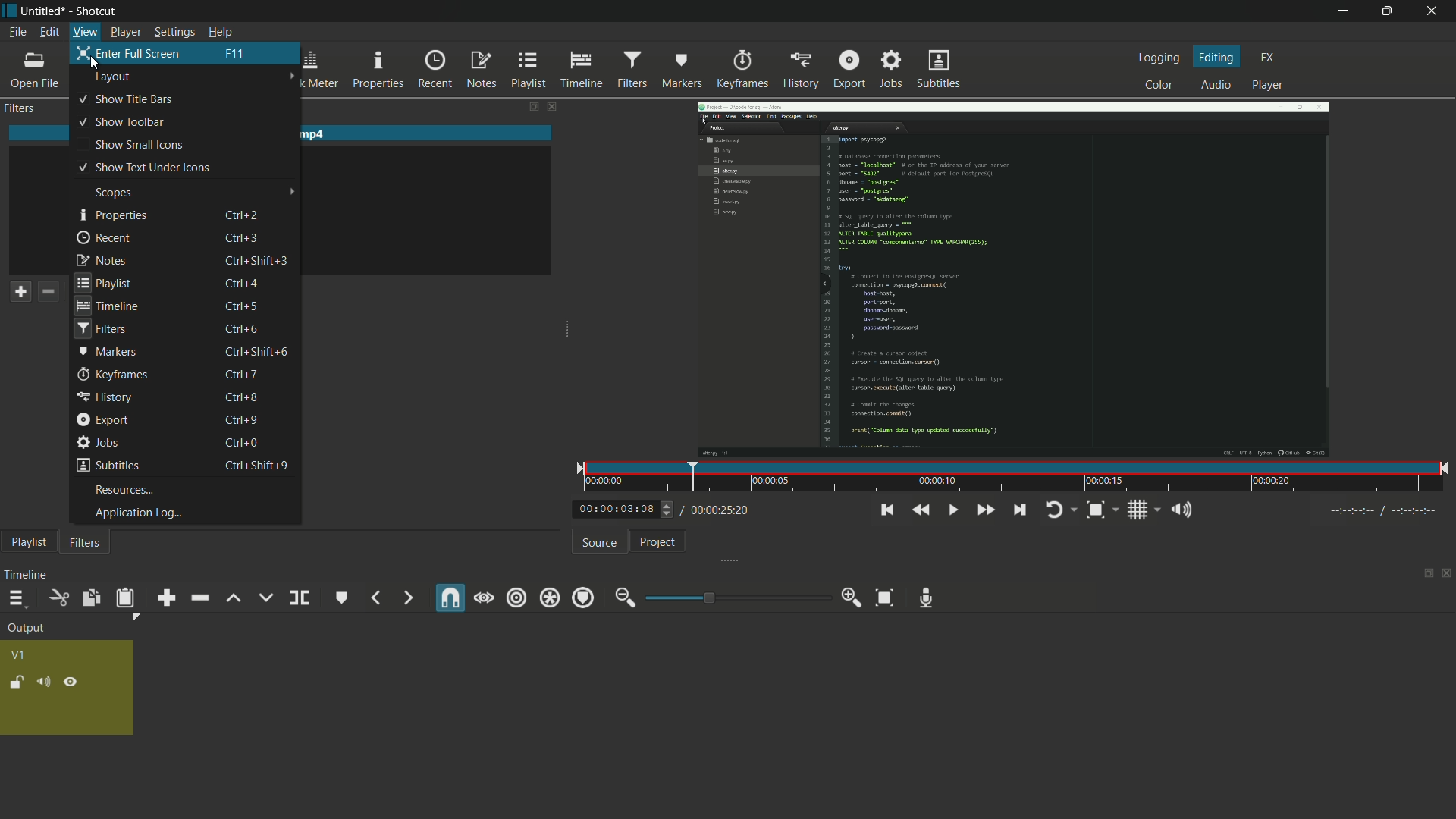 The image size is (1456, 819). Describe the element at coordinates (718, 510) in the screenshot. I see `total time` at that location.